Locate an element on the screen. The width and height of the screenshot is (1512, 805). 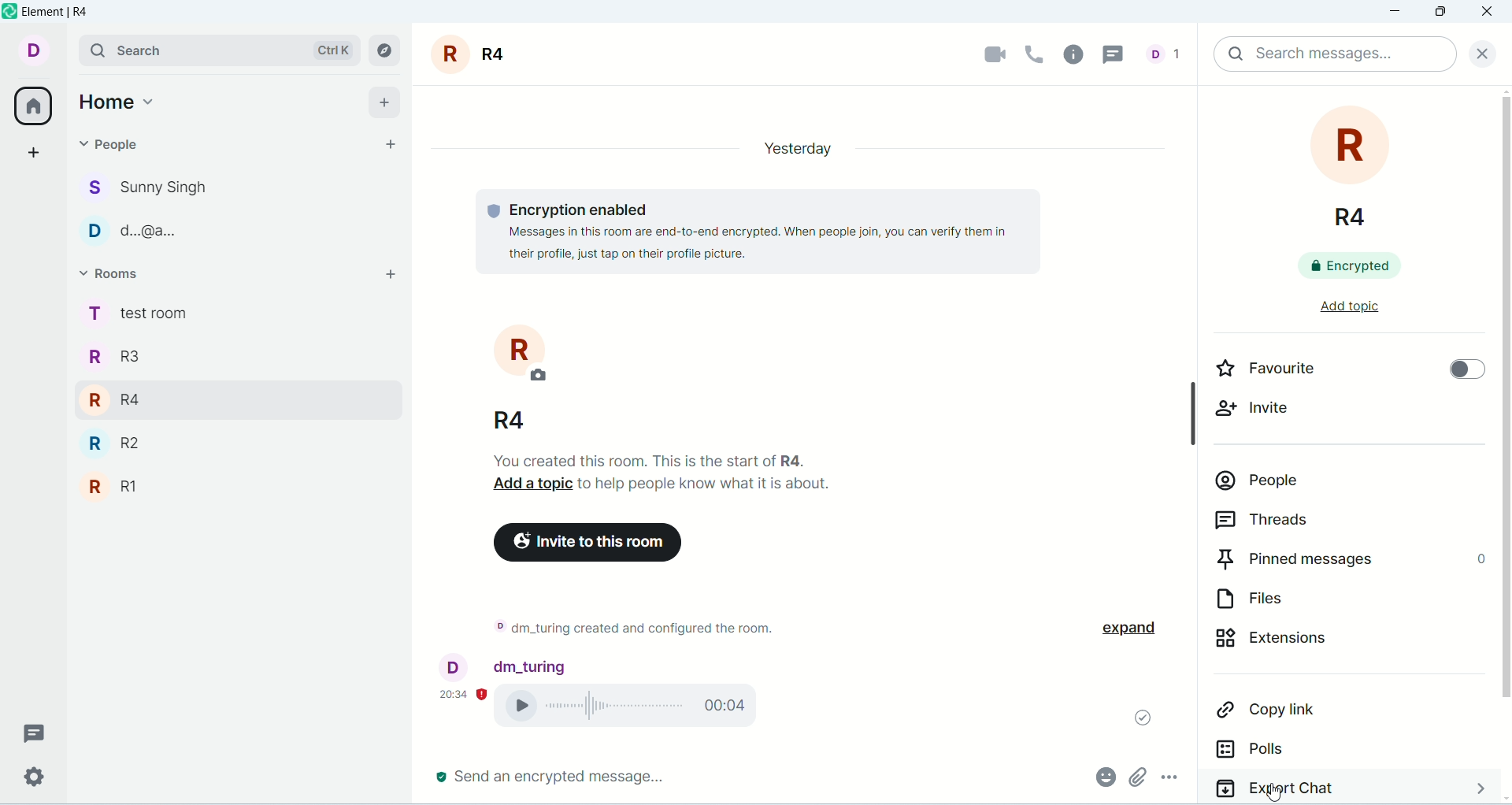
expand is located at coordinates (1140, 629).